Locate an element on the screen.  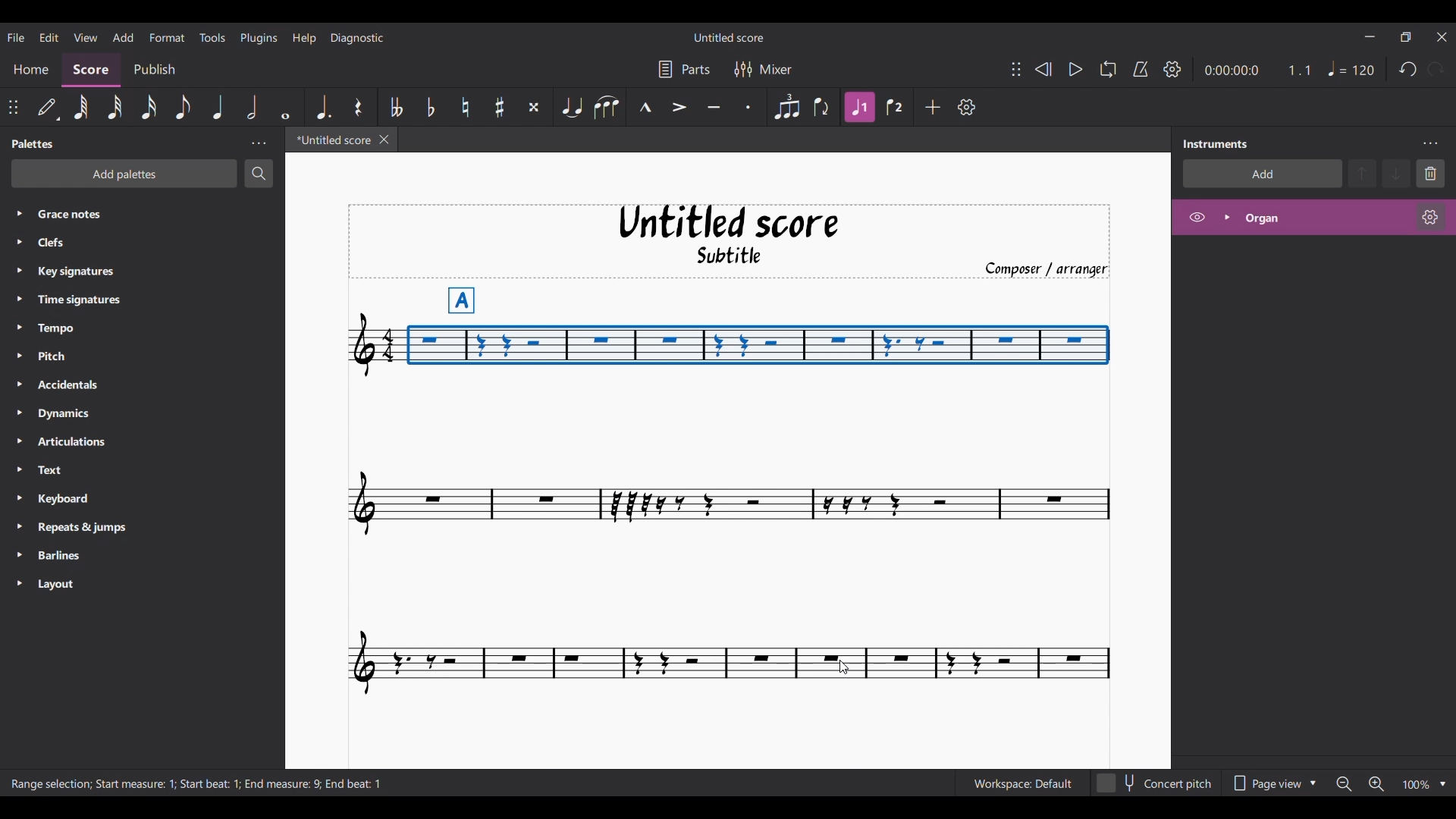
Mixer settings is located at coordinates (763, 69).